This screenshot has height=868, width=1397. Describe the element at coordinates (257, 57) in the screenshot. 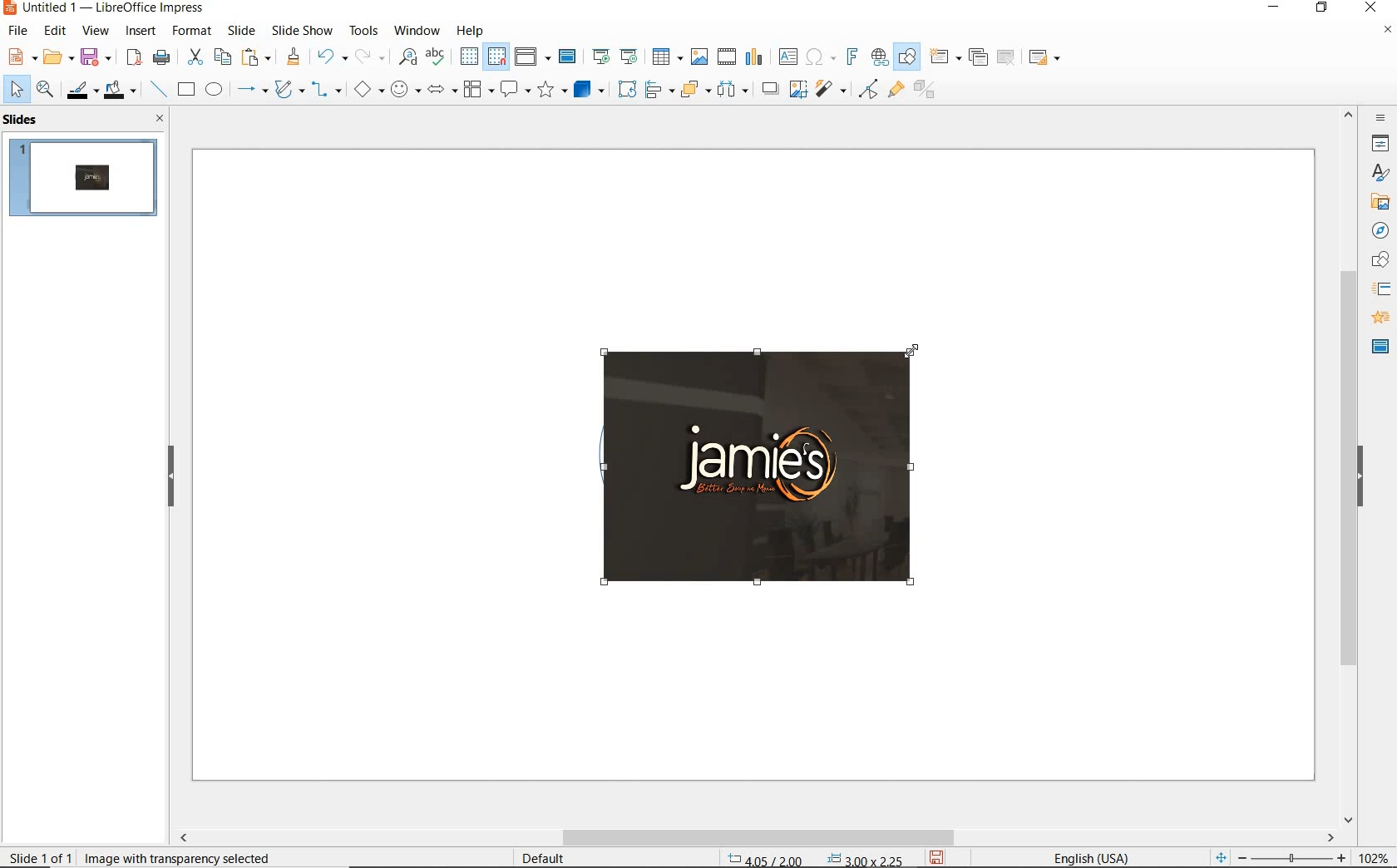

I see `paste` at that location.